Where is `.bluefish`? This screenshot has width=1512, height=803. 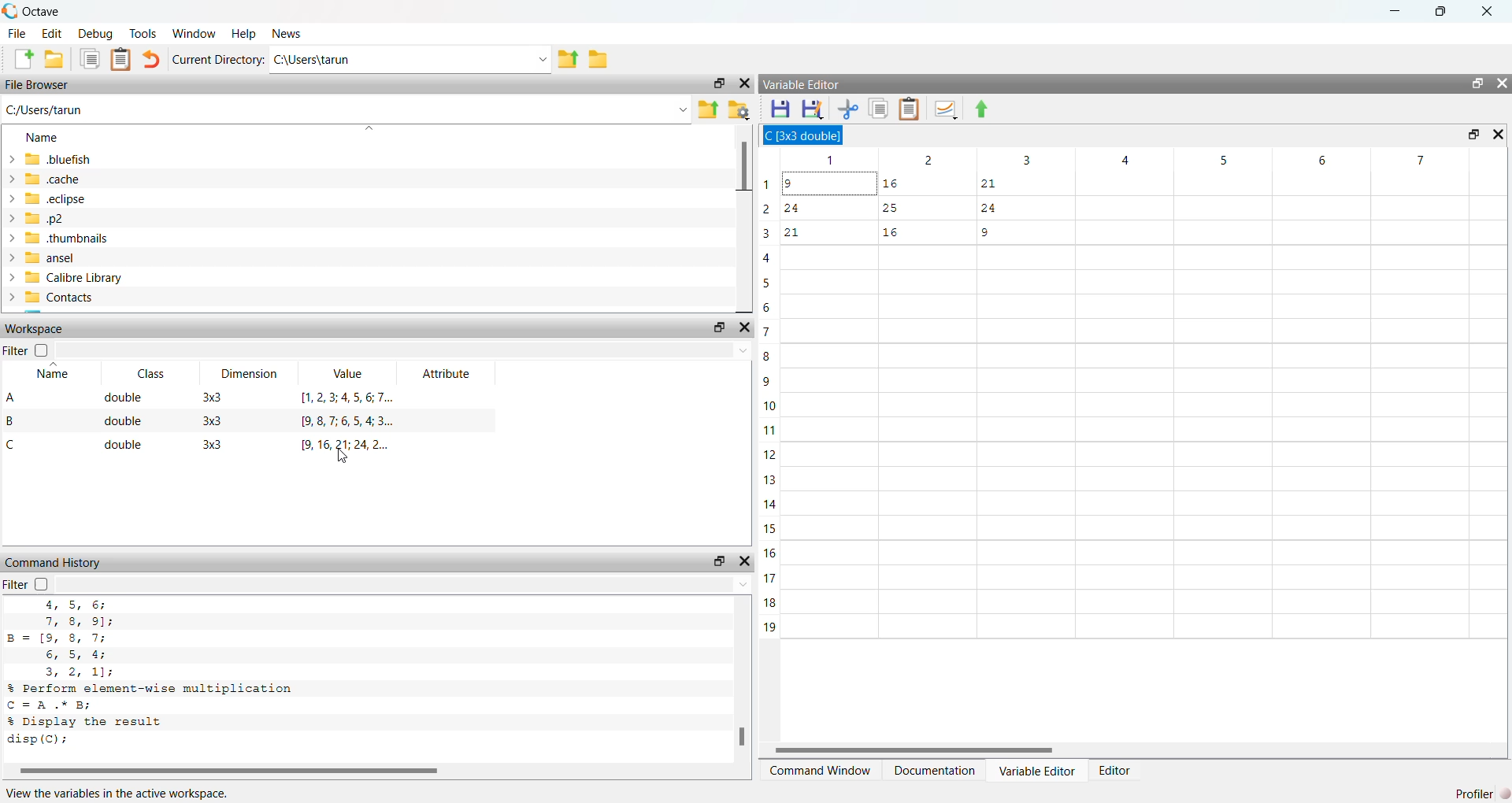
.bluefish is located at coordinates (48, 161).